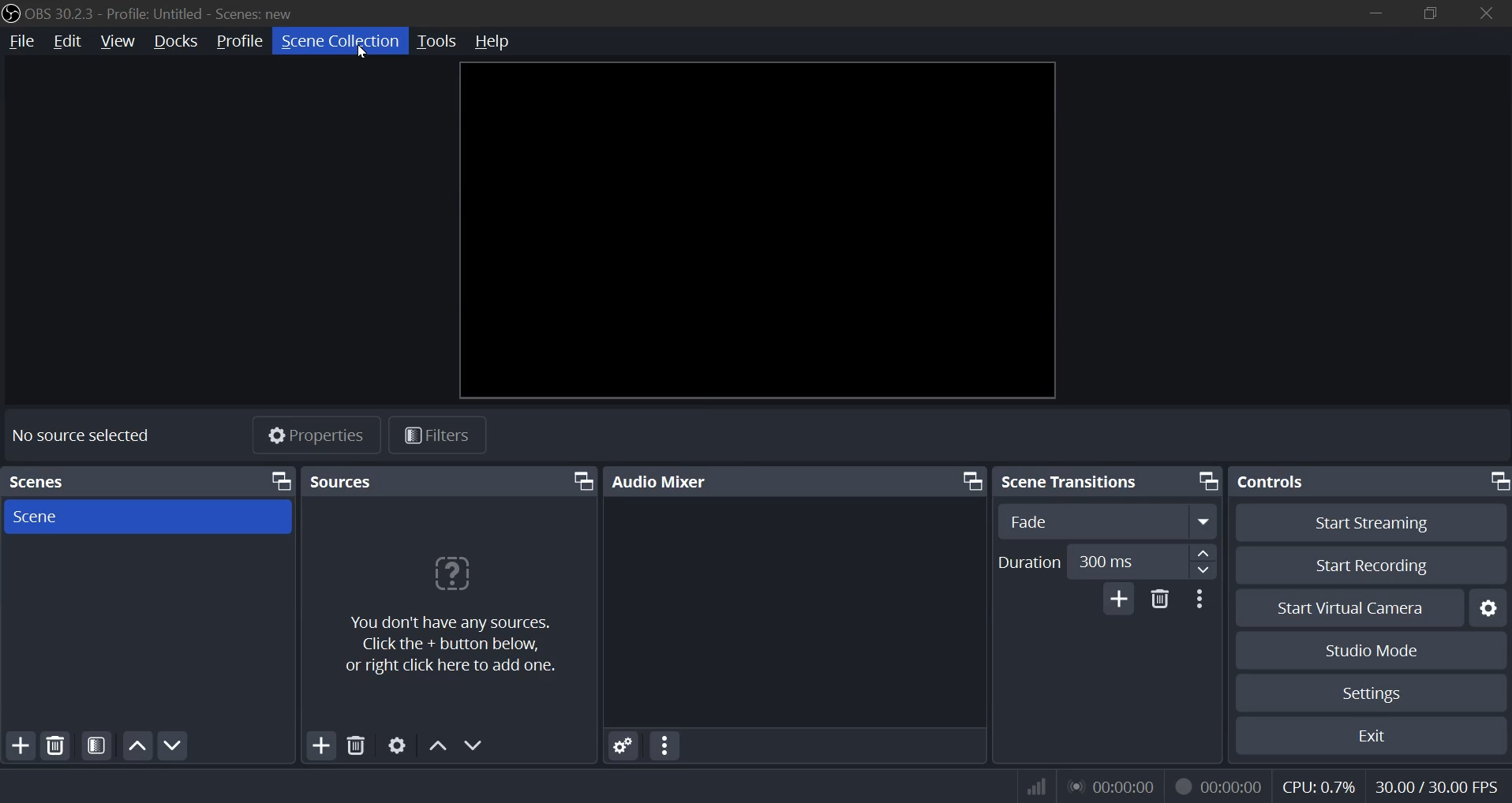 This screenshot has height=803, width=1512. Describe the element at coordinates (436, 42) in the screenshot. I see `tools` at that location.